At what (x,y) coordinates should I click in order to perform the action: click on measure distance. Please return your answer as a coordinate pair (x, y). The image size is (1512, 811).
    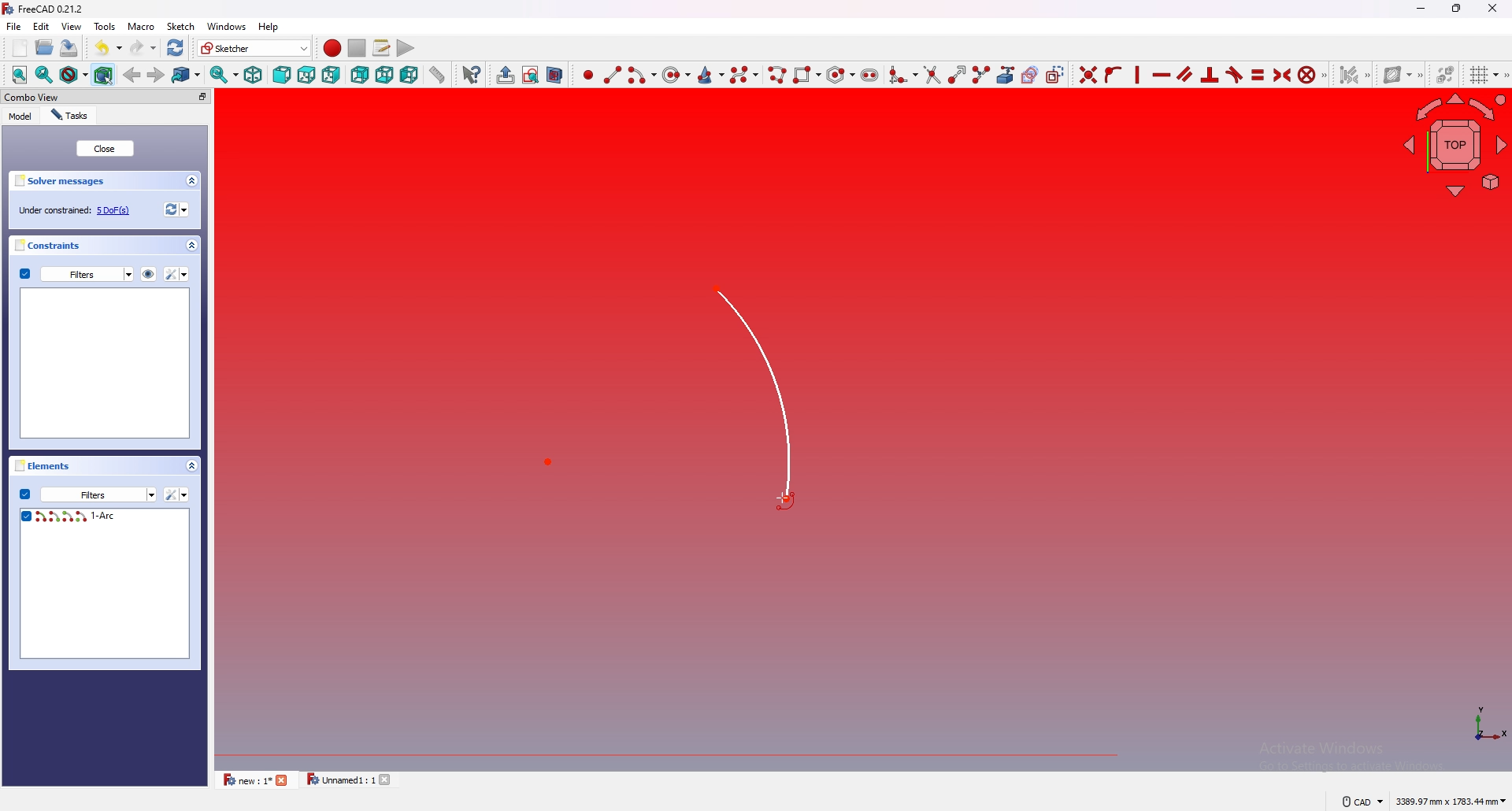
    Looking at the image, I should click on (438, 73).